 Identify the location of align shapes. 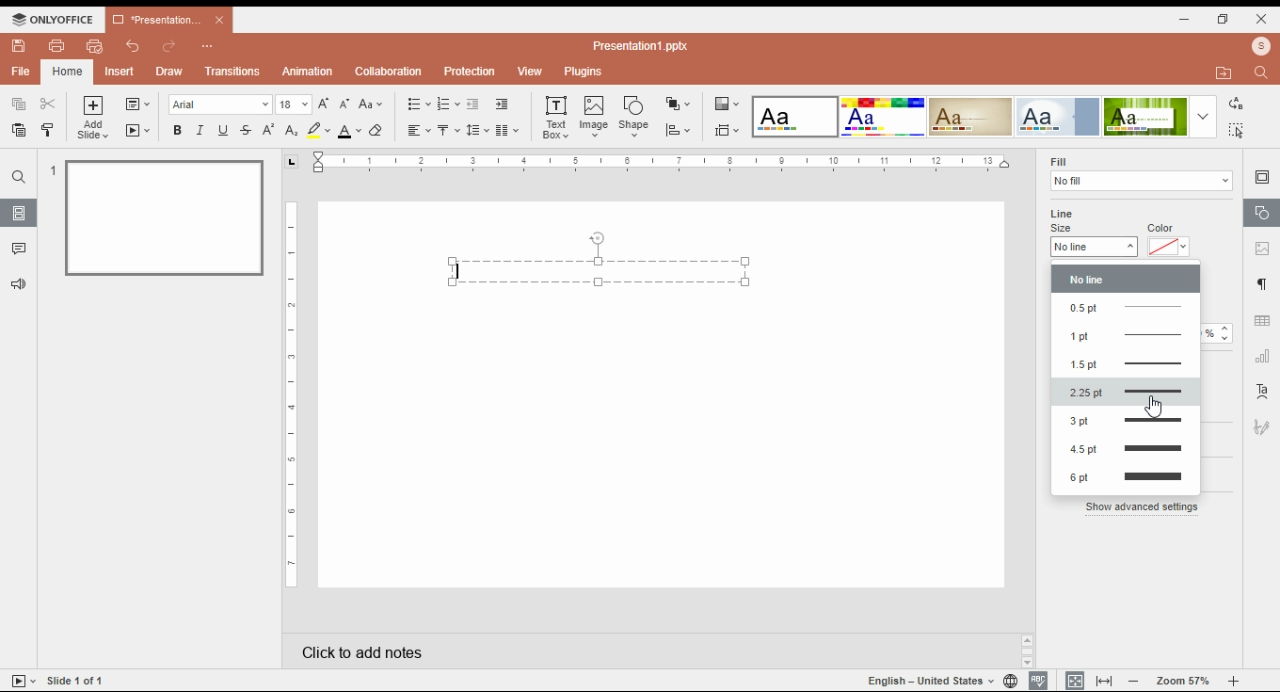
(678, 132).